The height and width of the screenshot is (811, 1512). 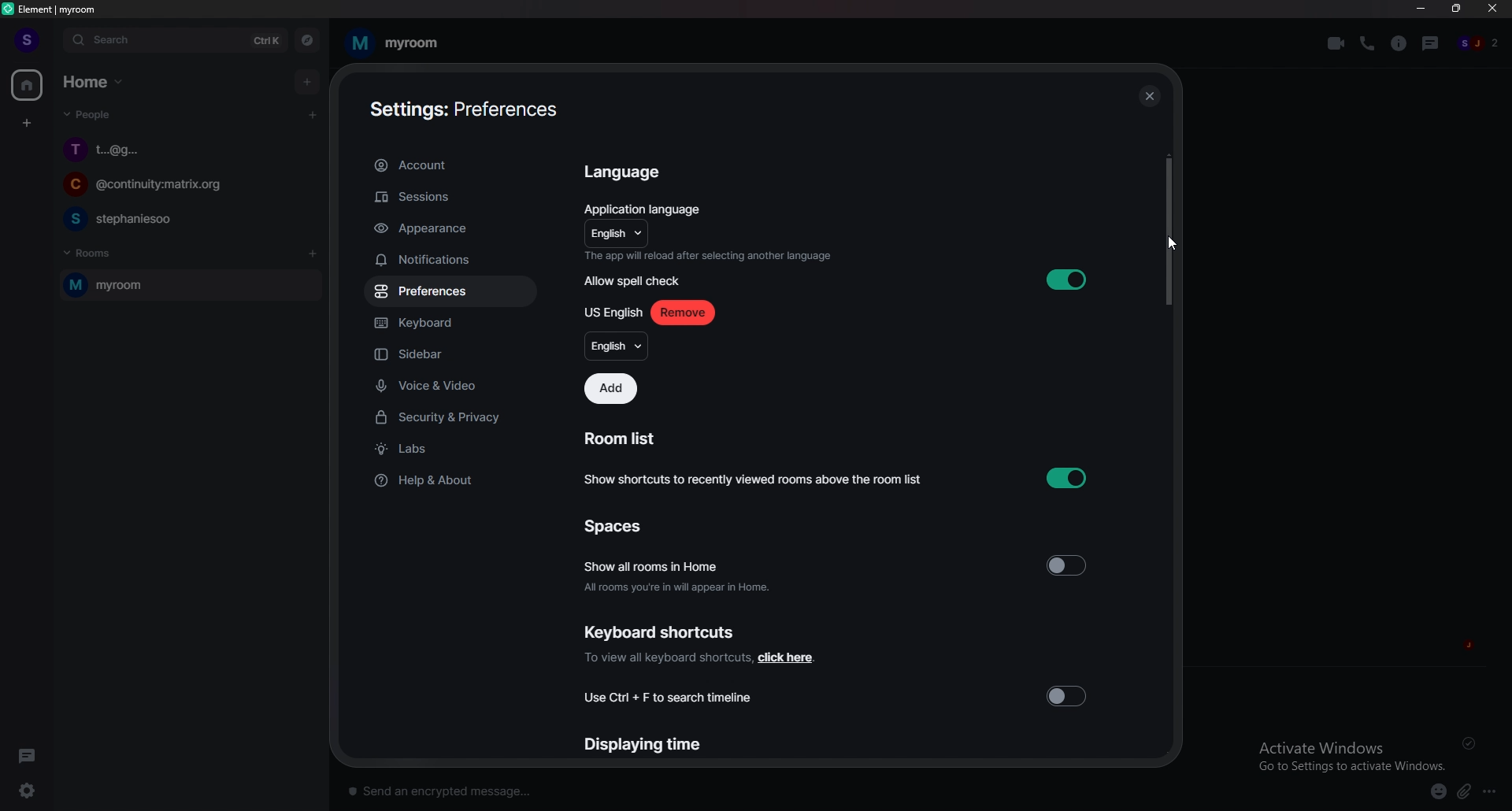 What do you see at coordinates (1432, 791) in the screenshot?
I see `emoji` at bounding box center [1432, 791].